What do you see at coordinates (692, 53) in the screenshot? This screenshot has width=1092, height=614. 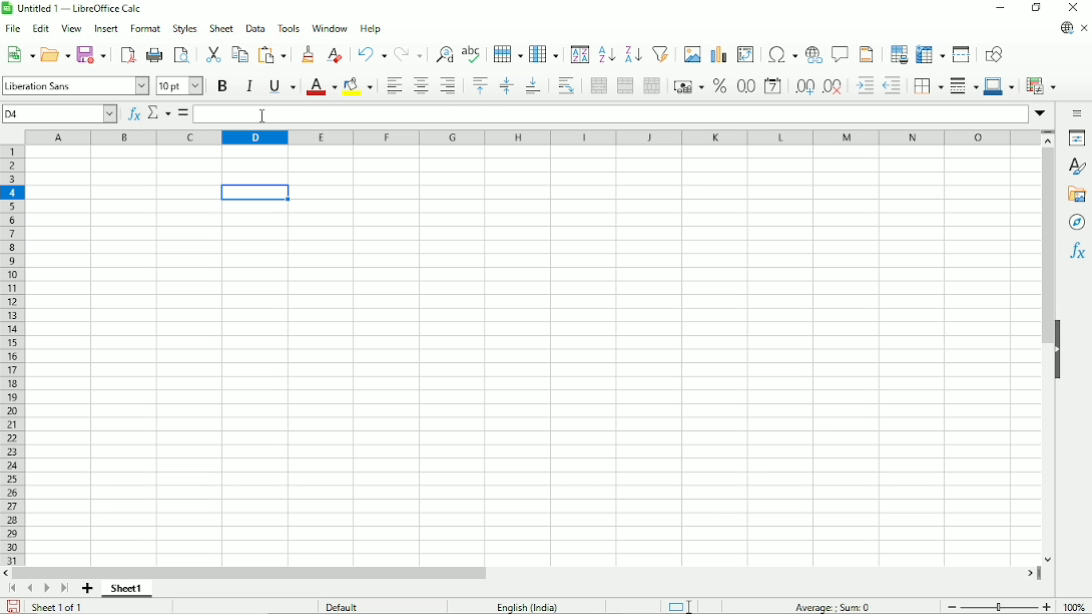 I see `Insert image` at bounding box center [692, 53].